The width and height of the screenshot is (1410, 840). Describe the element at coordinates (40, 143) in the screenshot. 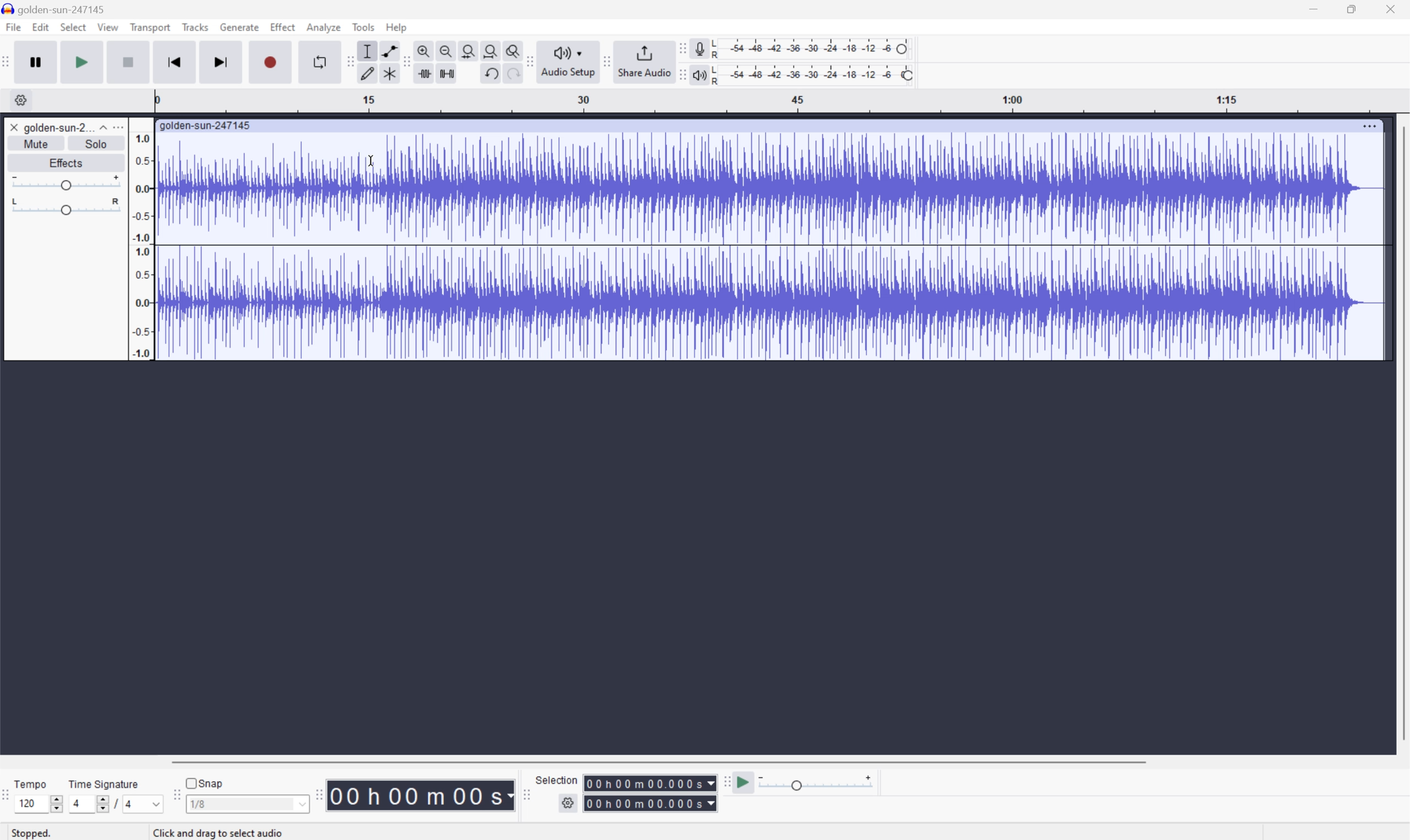

I see `Mute` at that location.